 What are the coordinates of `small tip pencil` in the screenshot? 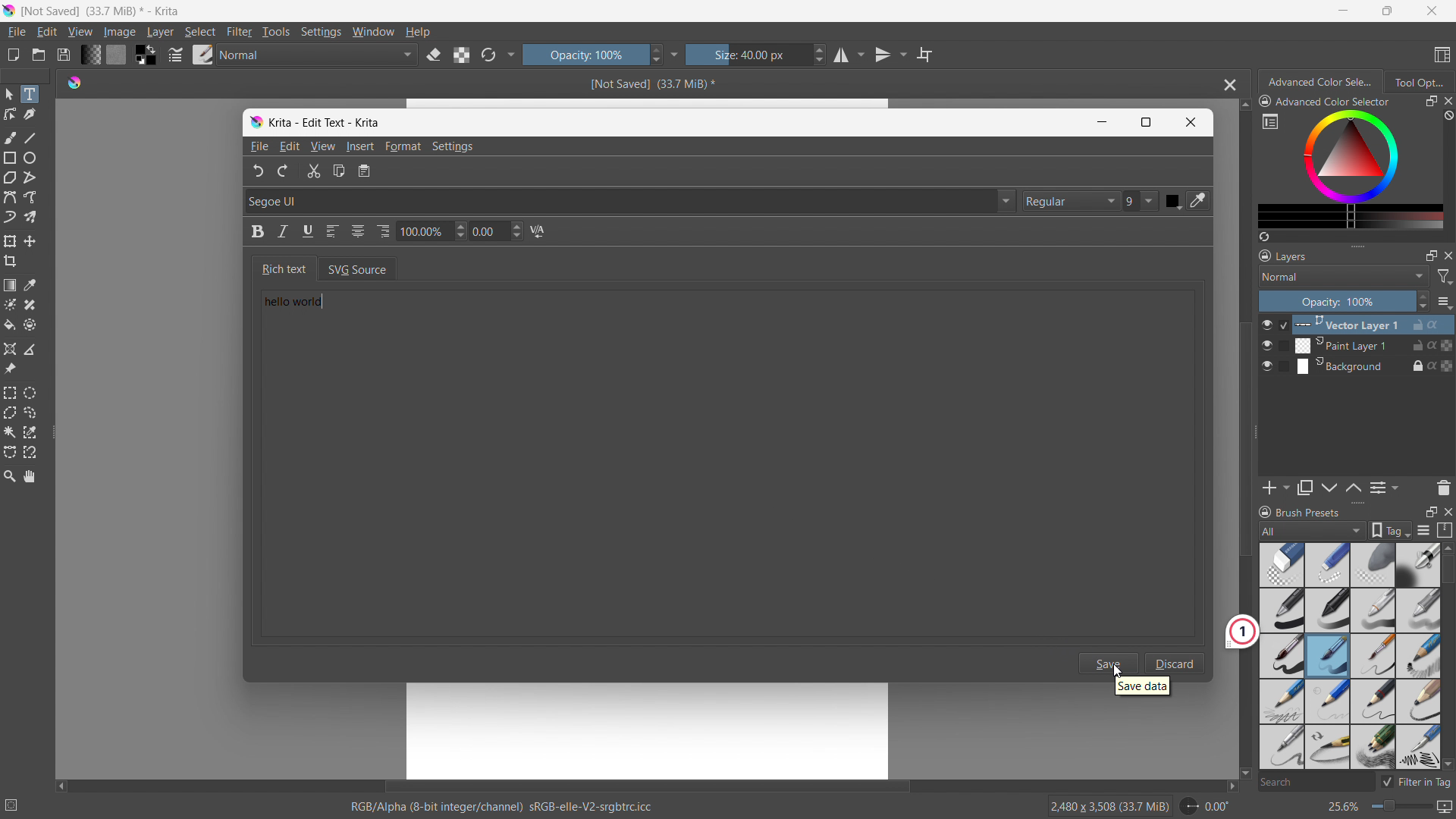 It's located at (1374, 701).